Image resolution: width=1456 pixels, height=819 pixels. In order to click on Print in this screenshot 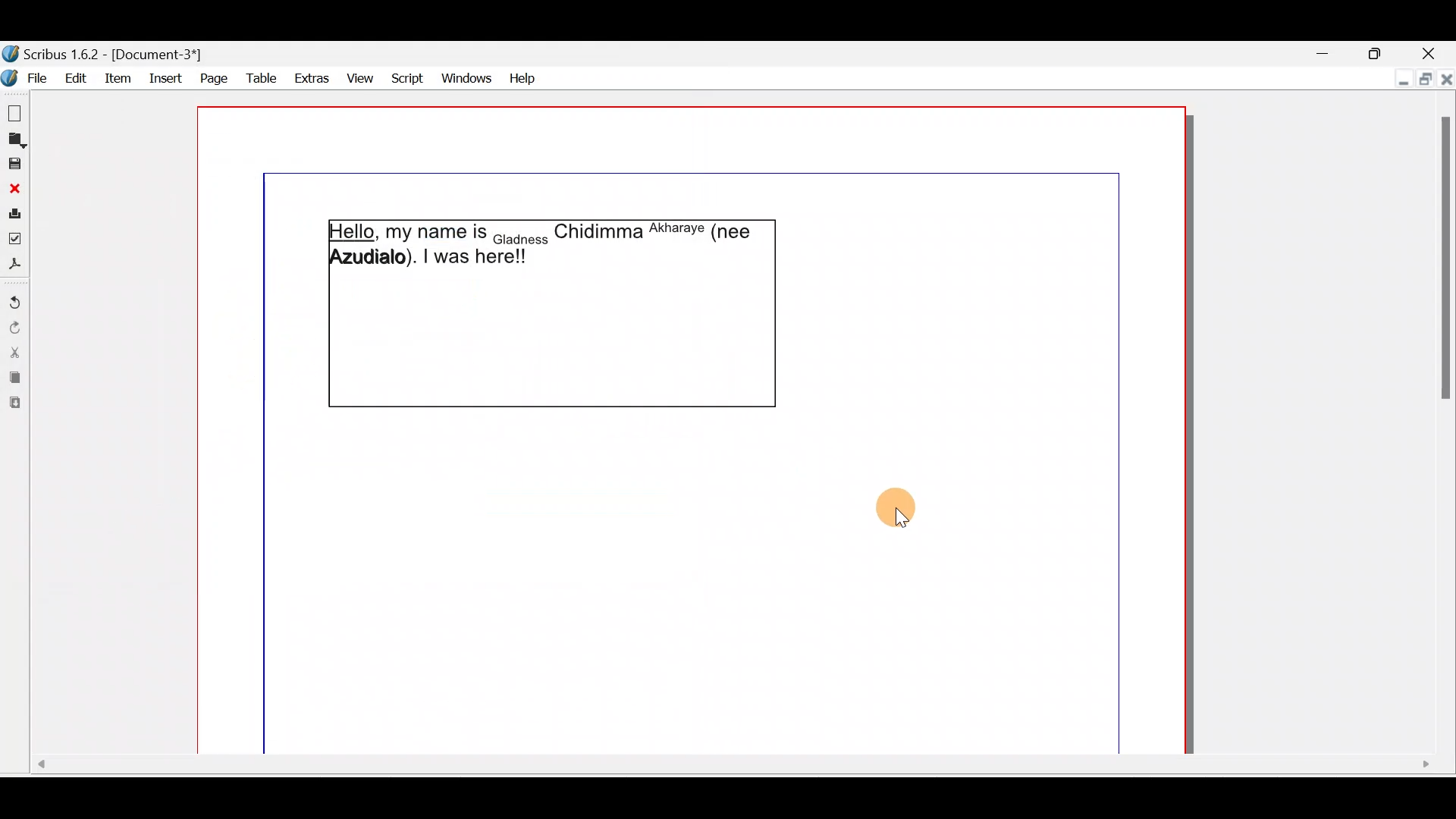, I will do `click(14, 216)`.